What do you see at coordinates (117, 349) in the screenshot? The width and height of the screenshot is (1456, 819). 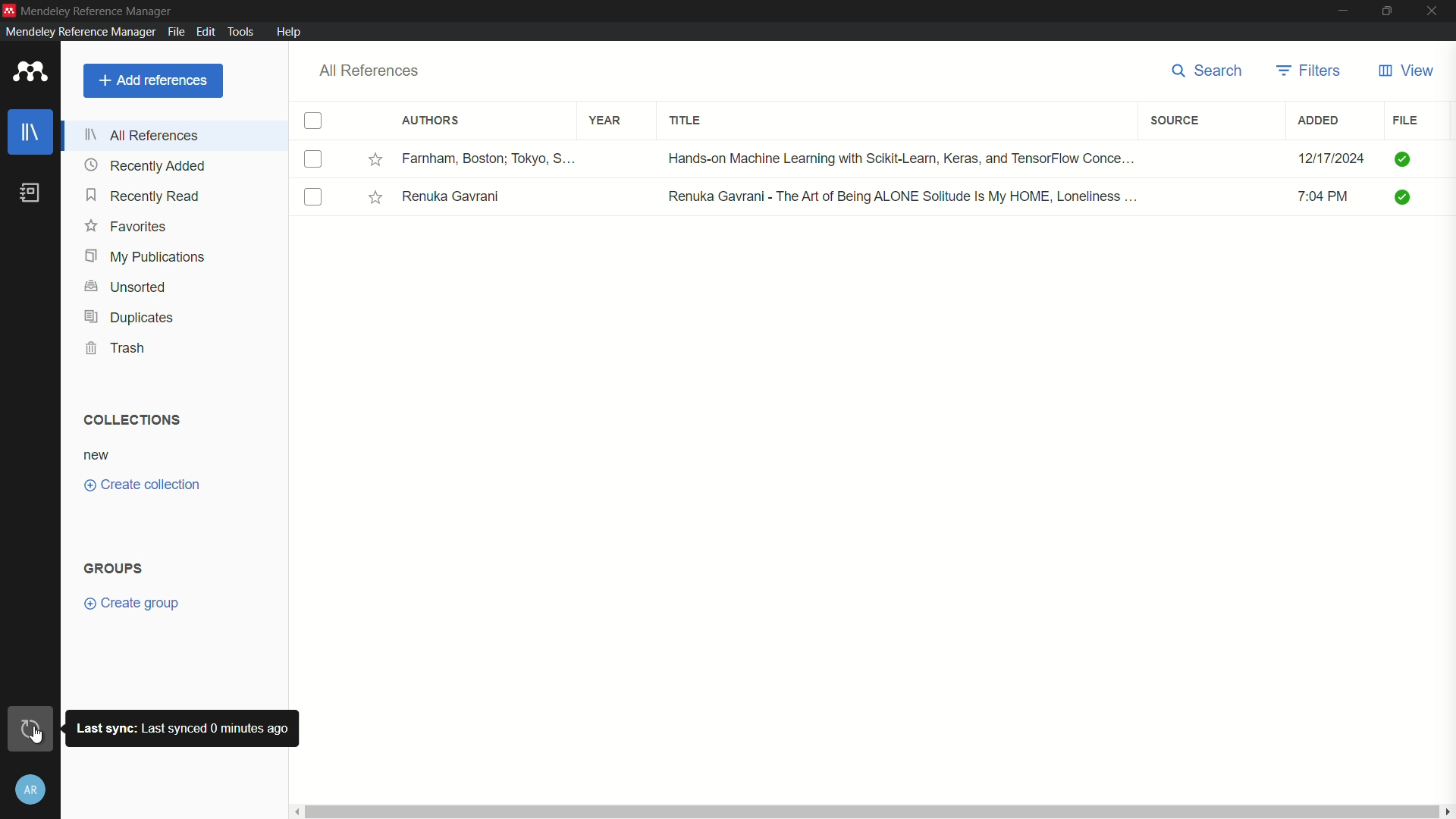 I see `trash` at bounding box center [117, 349].